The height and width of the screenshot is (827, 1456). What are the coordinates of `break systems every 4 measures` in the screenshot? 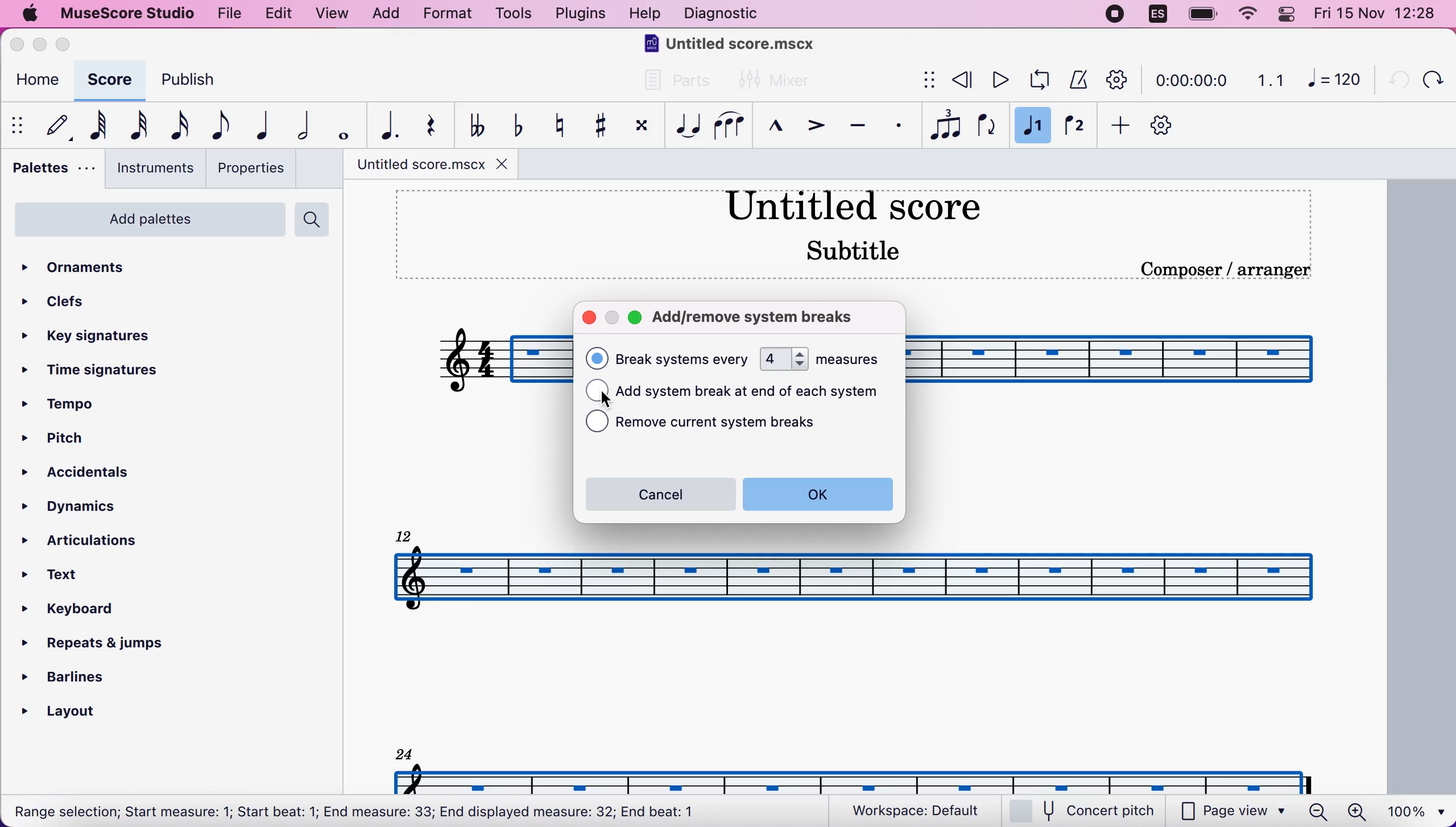 It's located at (849, 358).